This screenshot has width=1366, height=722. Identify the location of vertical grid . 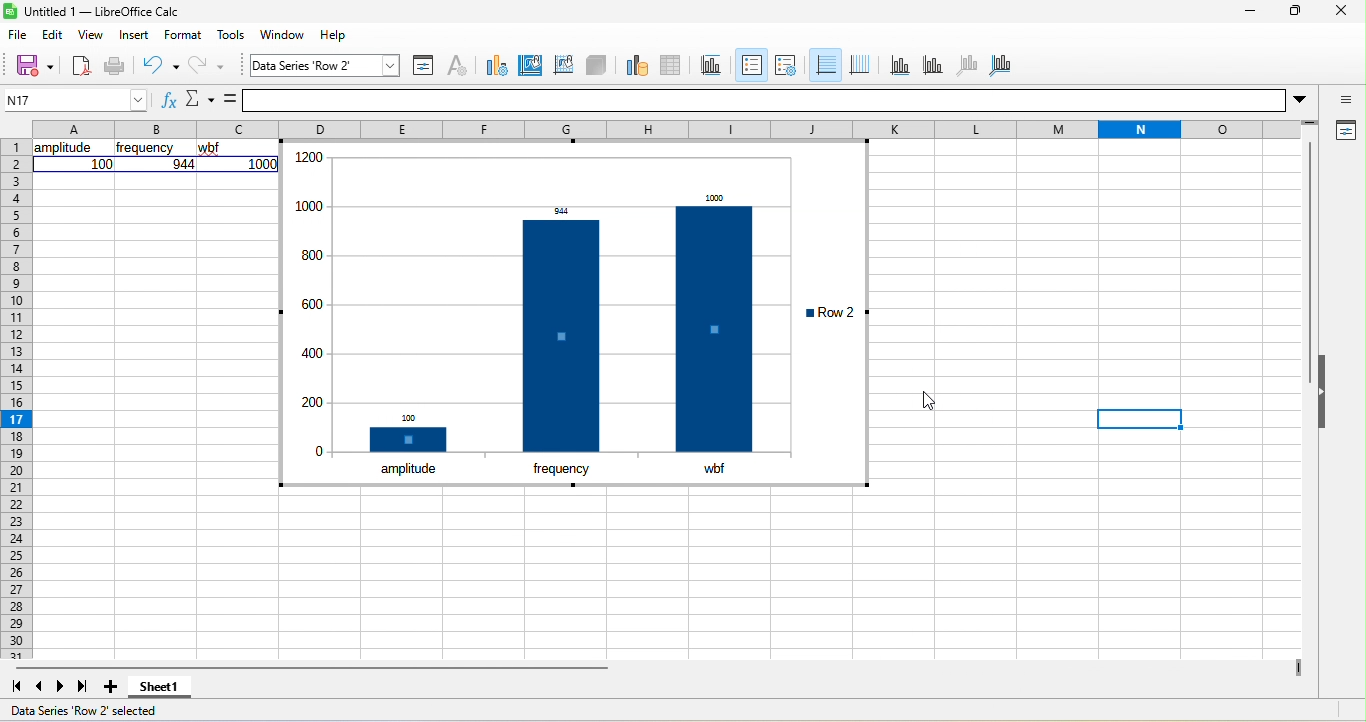
(864, 64).